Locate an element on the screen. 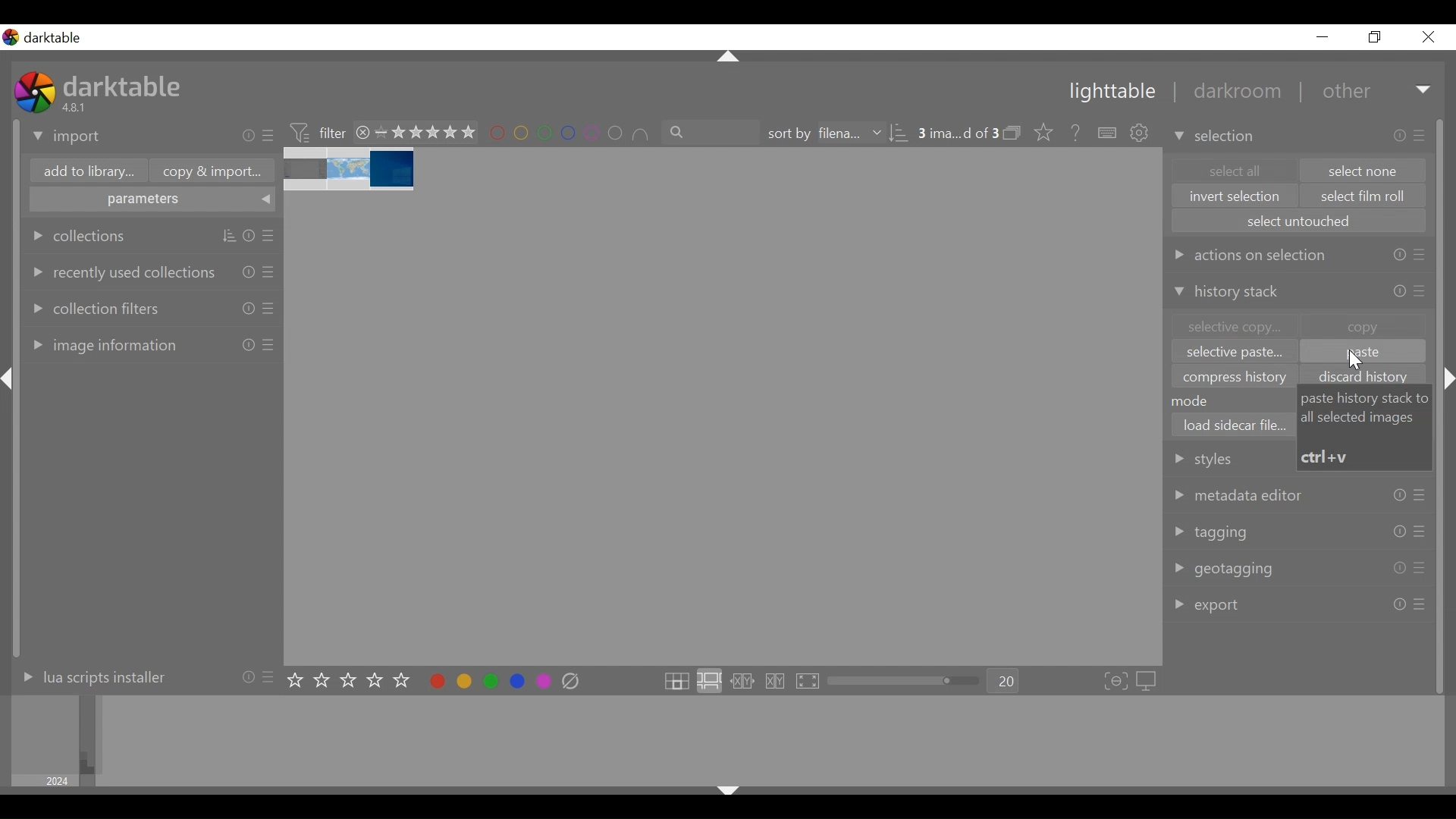 Image resolution: width=1456 pixels, height=819 pixels. click to enter filemanger is located at coordinates (676, 682).